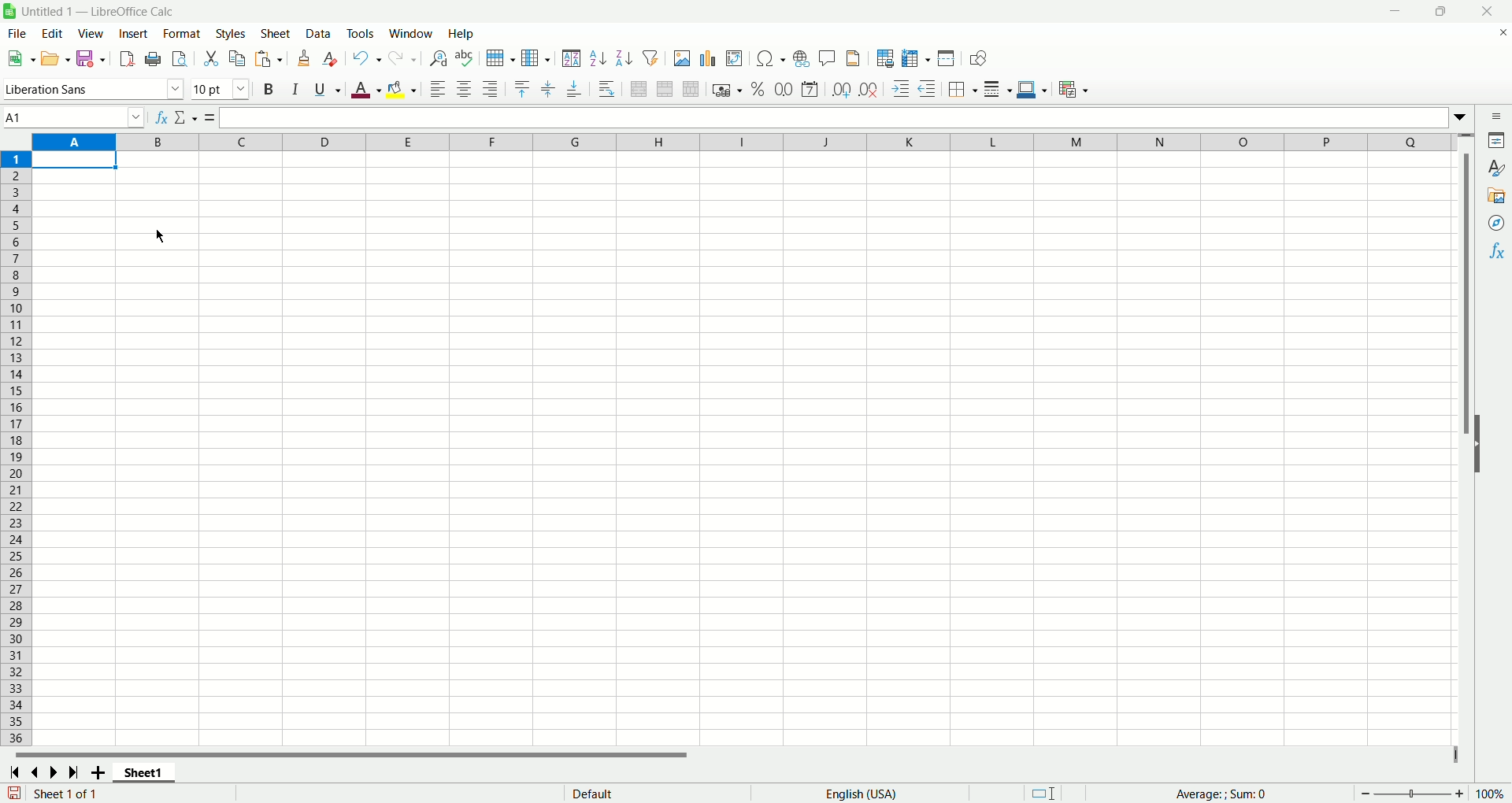 This screenshot has width=1512, height=803. I want to click on conditional, so click(1075, 91).